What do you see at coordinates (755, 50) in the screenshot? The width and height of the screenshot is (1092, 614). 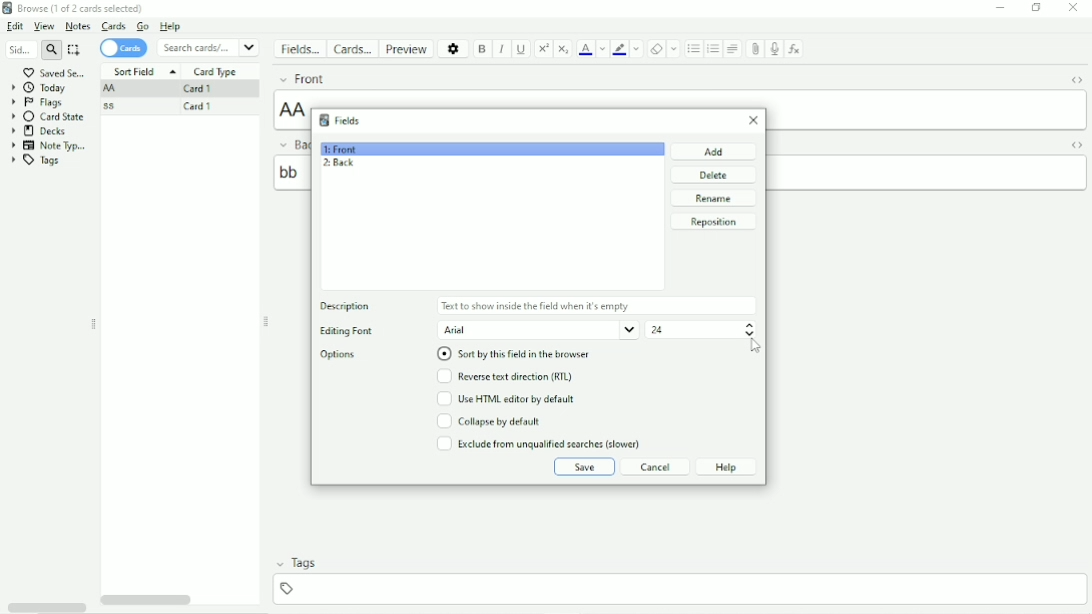 I see `Attach picture/audio/video` at bounding box center [755, 50].